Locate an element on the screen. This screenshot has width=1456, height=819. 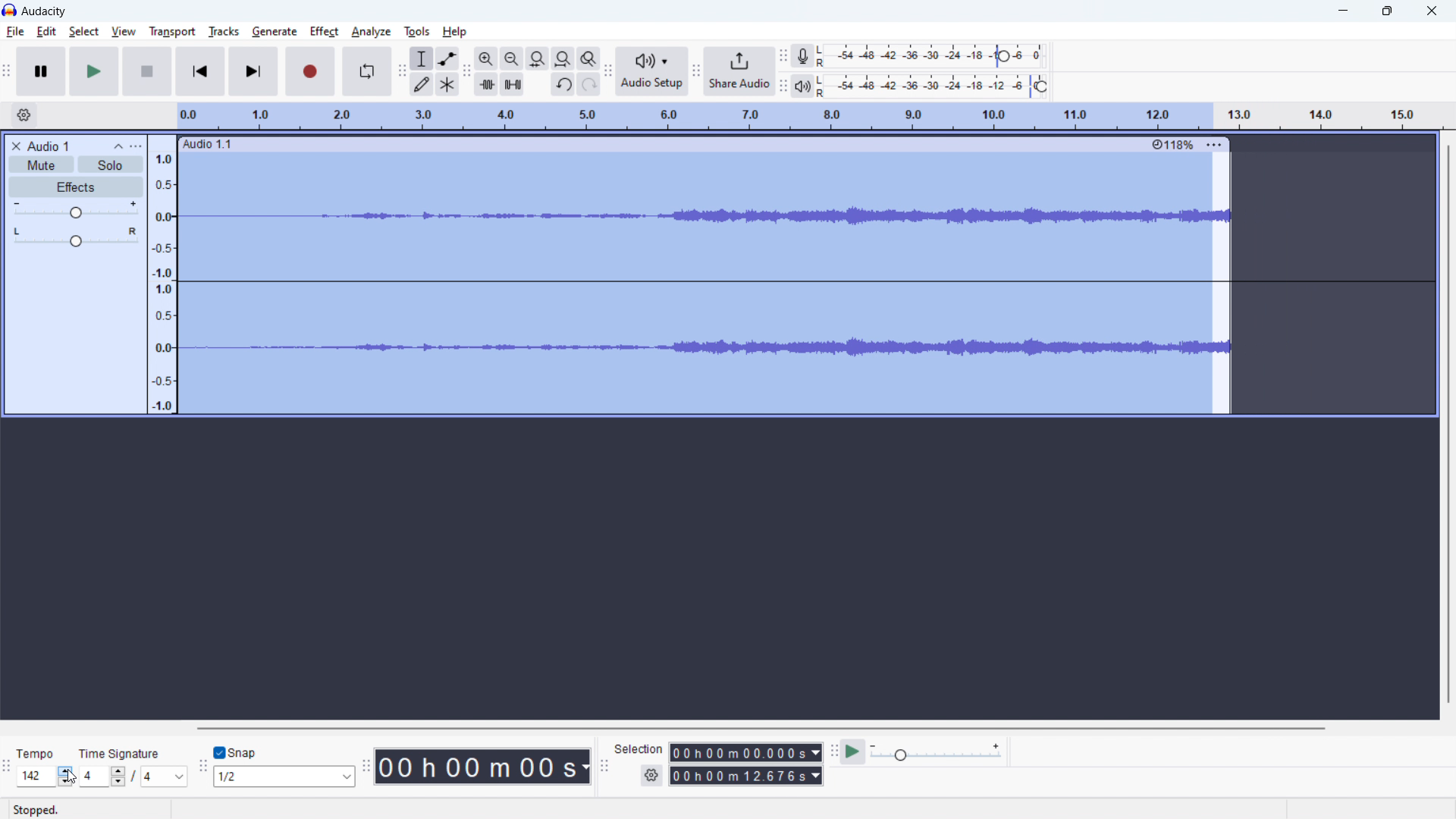
More options is located at coordinates (1213, 142).